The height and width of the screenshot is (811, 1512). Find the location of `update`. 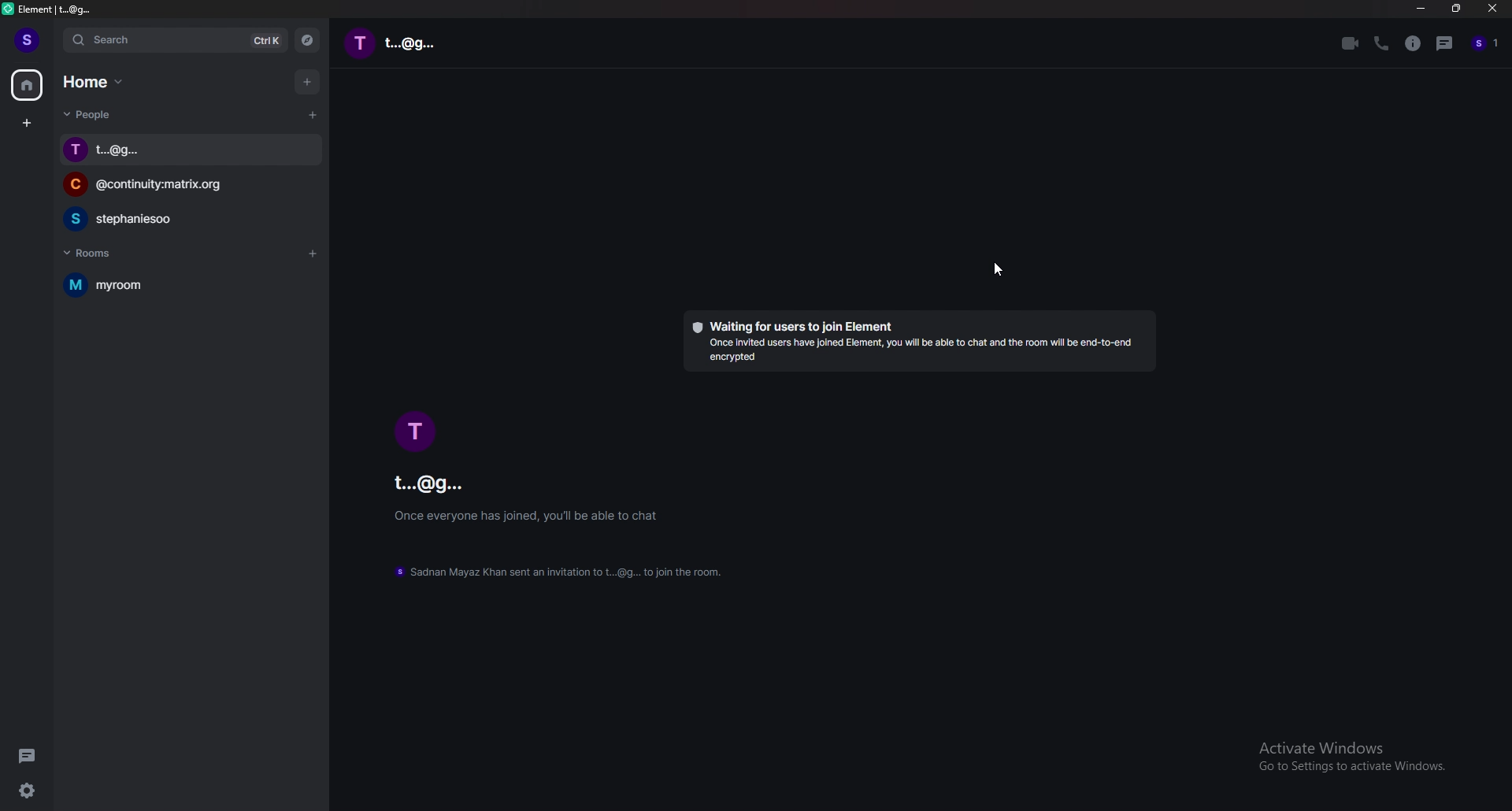

update is located at coordinates (573, 572).